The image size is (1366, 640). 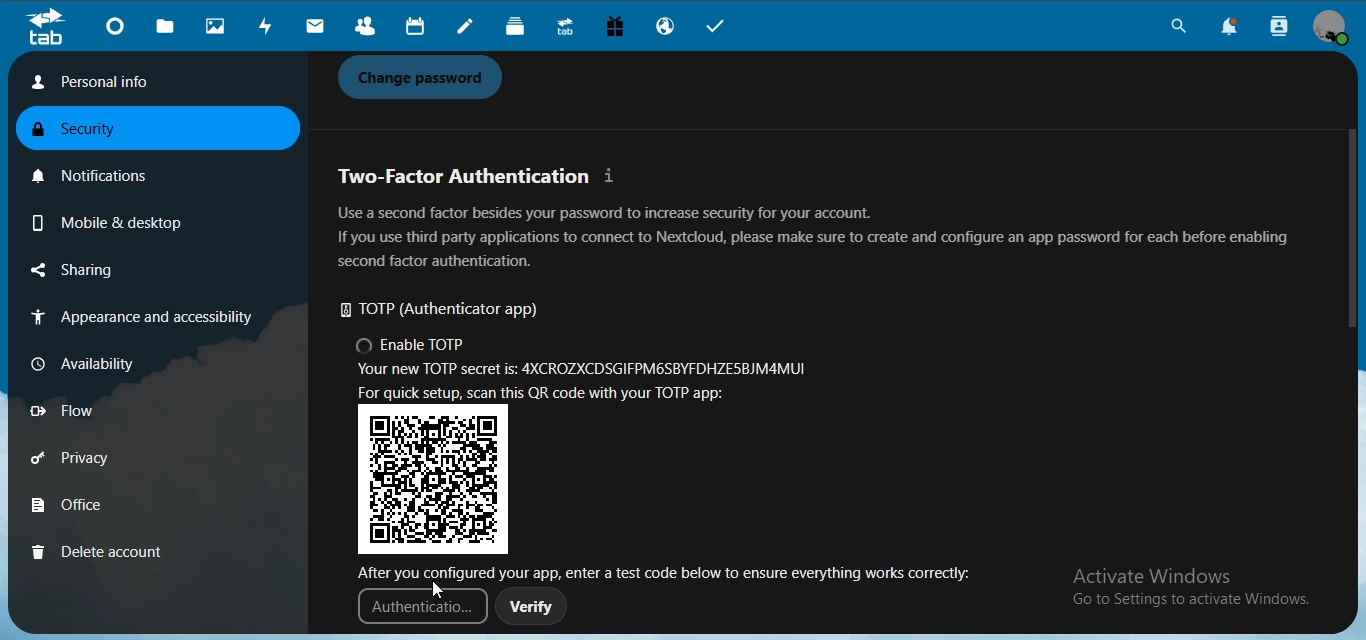 I want to click on photos, so click(x=218, y=27).